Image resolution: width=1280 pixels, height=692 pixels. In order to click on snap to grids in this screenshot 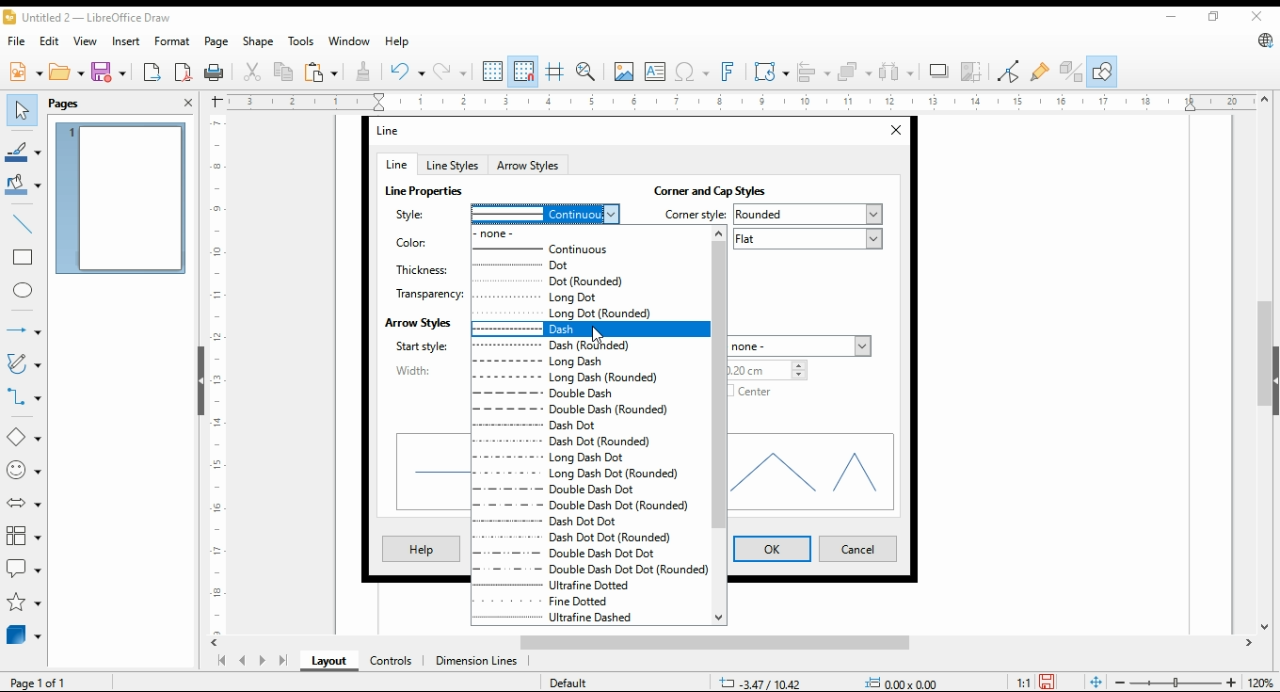, I will do `click(524, 72)`.